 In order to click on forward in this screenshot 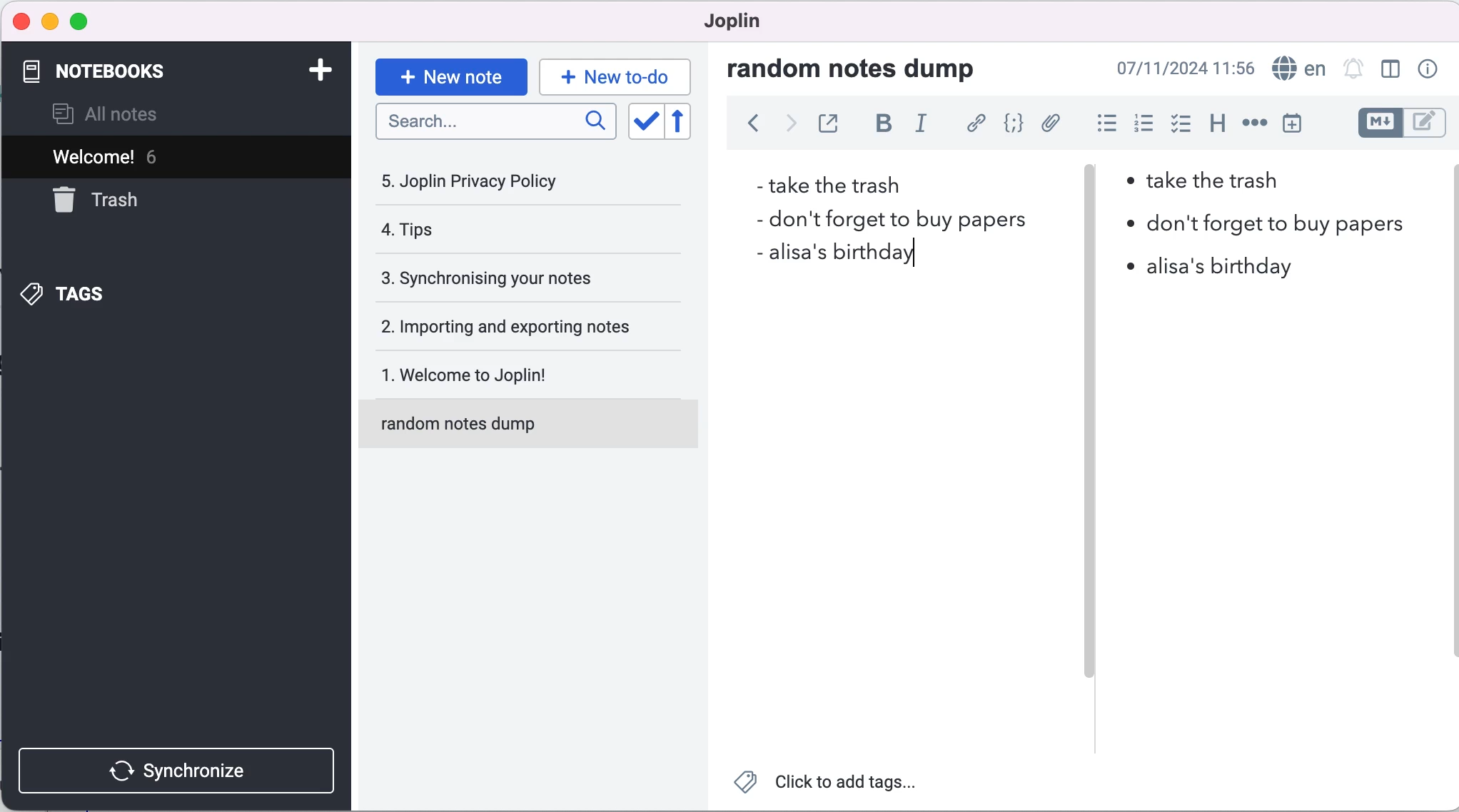, I will do `click(786, 127)`.